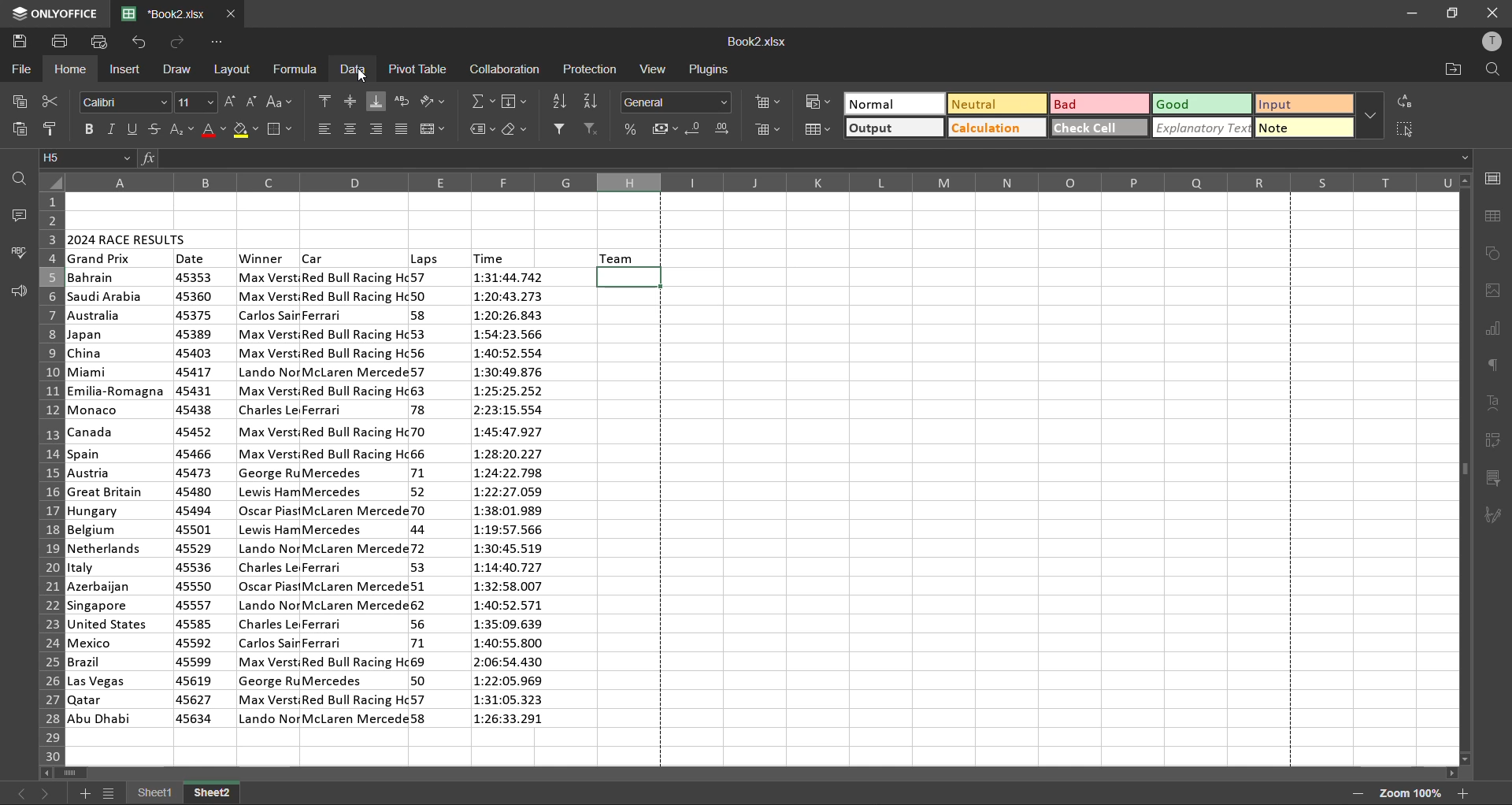 This screenshot has width=1512, height=805. Describe the element at coordinates (1200, 129) in the screenshot. I see `explanatory text` at that location.